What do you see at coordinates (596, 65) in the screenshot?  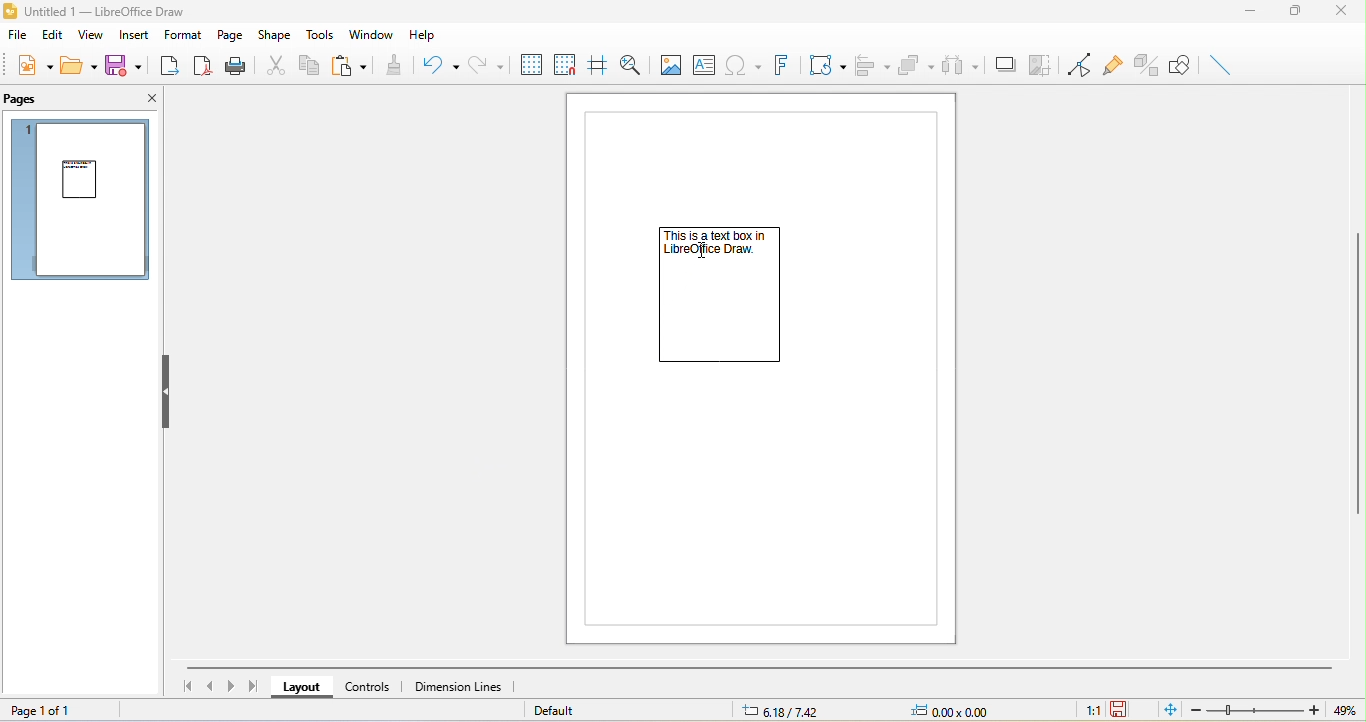 I see `helpline while moving` at bounding box center [596, 65].